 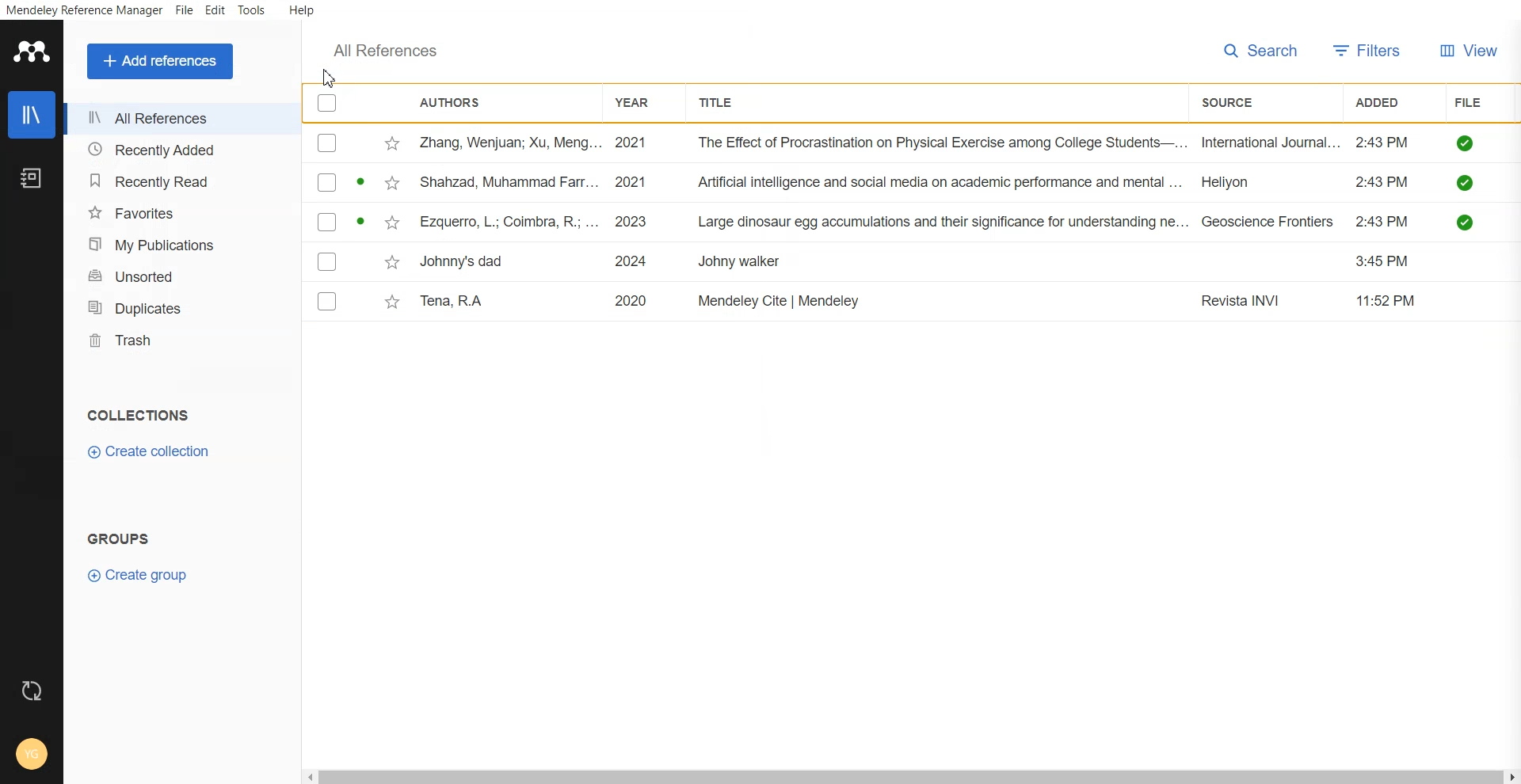 I want to click on Duplicates, so click(x=178, y=306).